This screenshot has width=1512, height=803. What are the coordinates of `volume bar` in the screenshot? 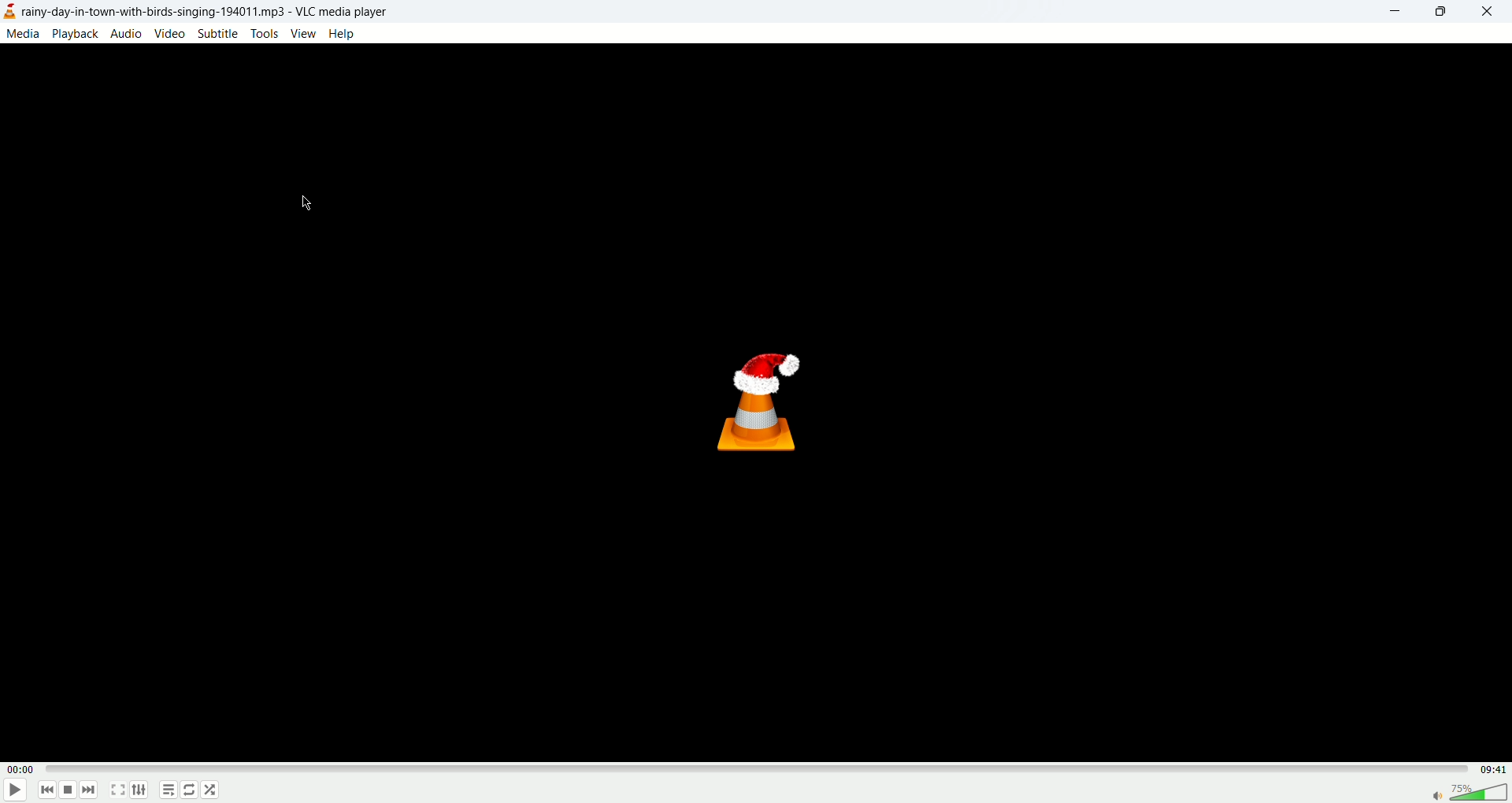 It's located at (1468, 794).